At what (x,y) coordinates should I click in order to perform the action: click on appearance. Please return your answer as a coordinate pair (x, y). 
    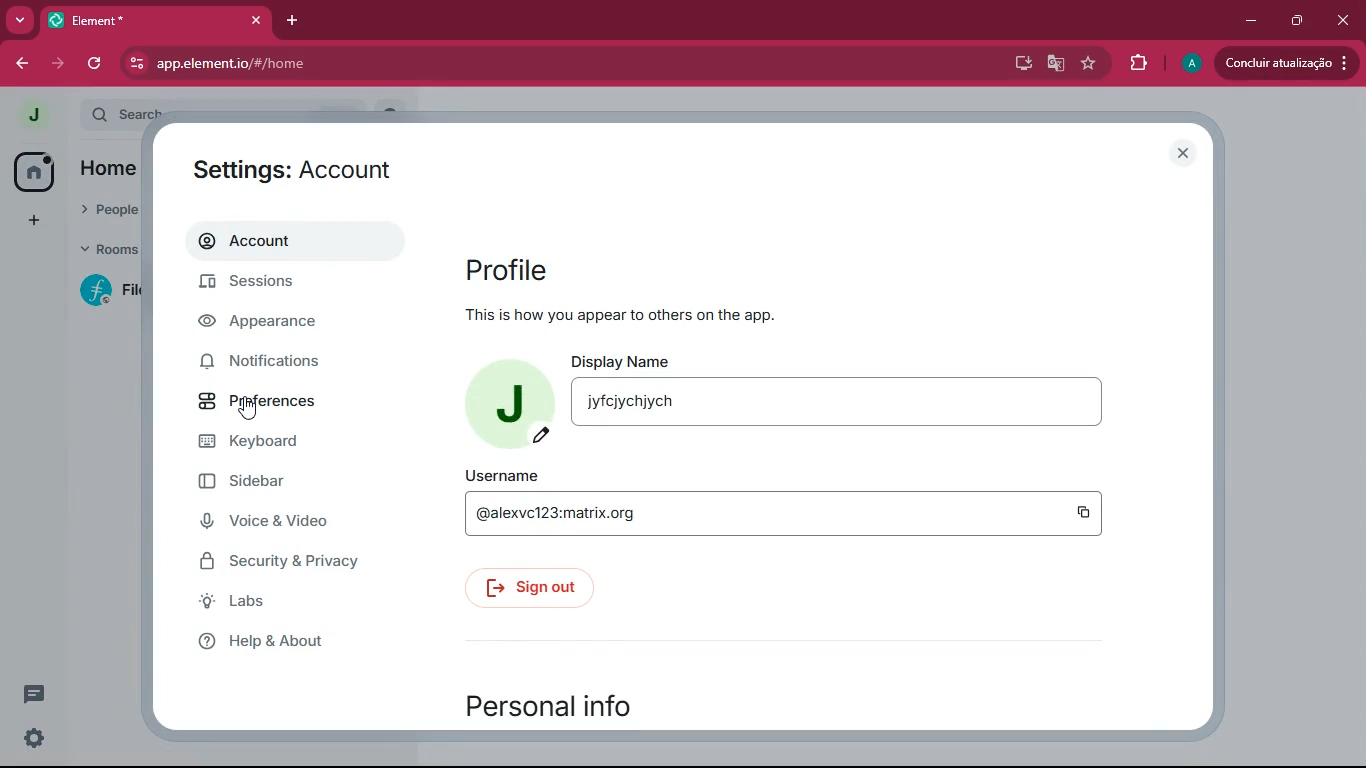
    Looking at the image, I should click on (273, 321).